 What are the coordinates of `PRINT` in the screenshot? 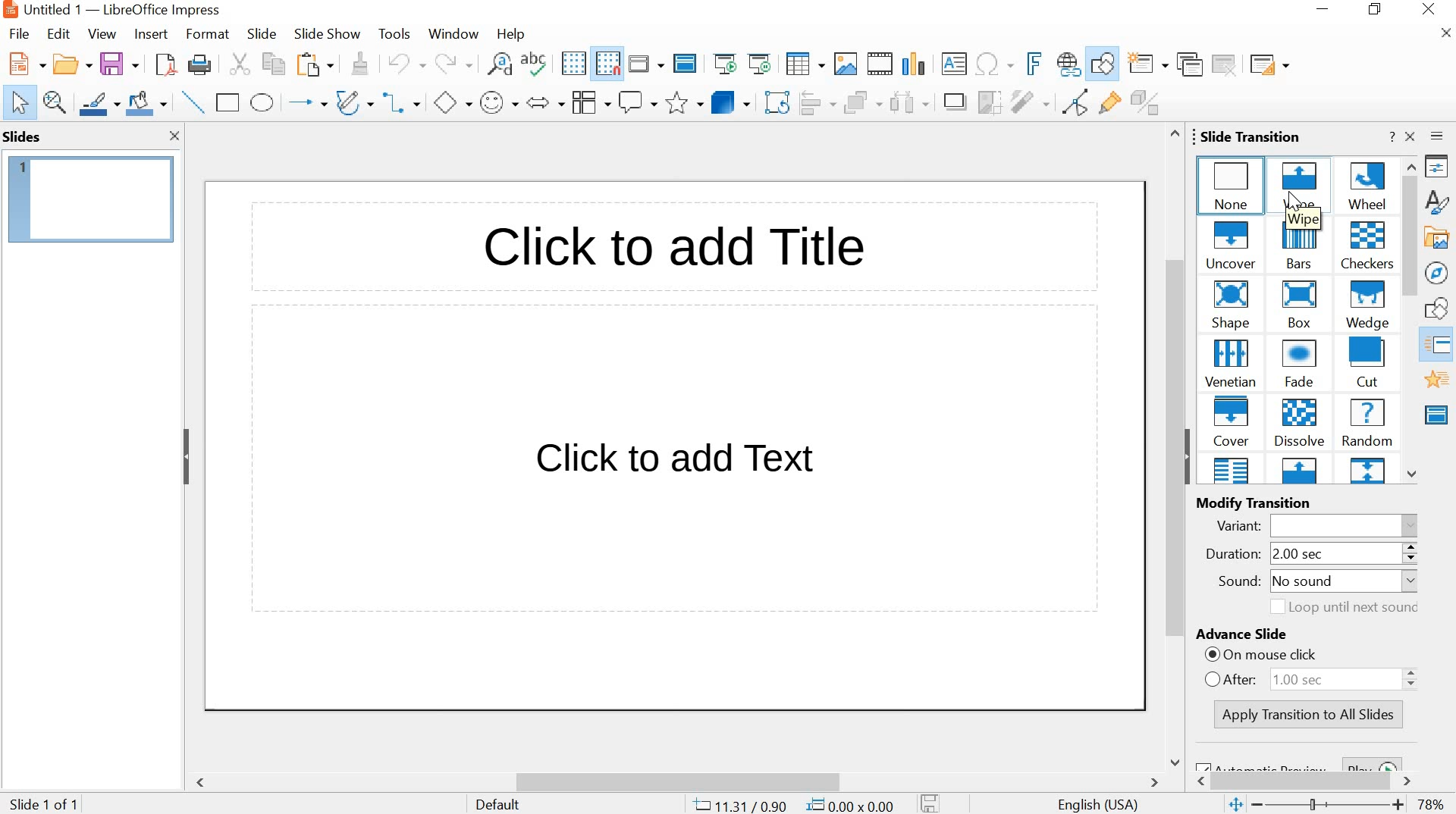 It's located at (201, 66).